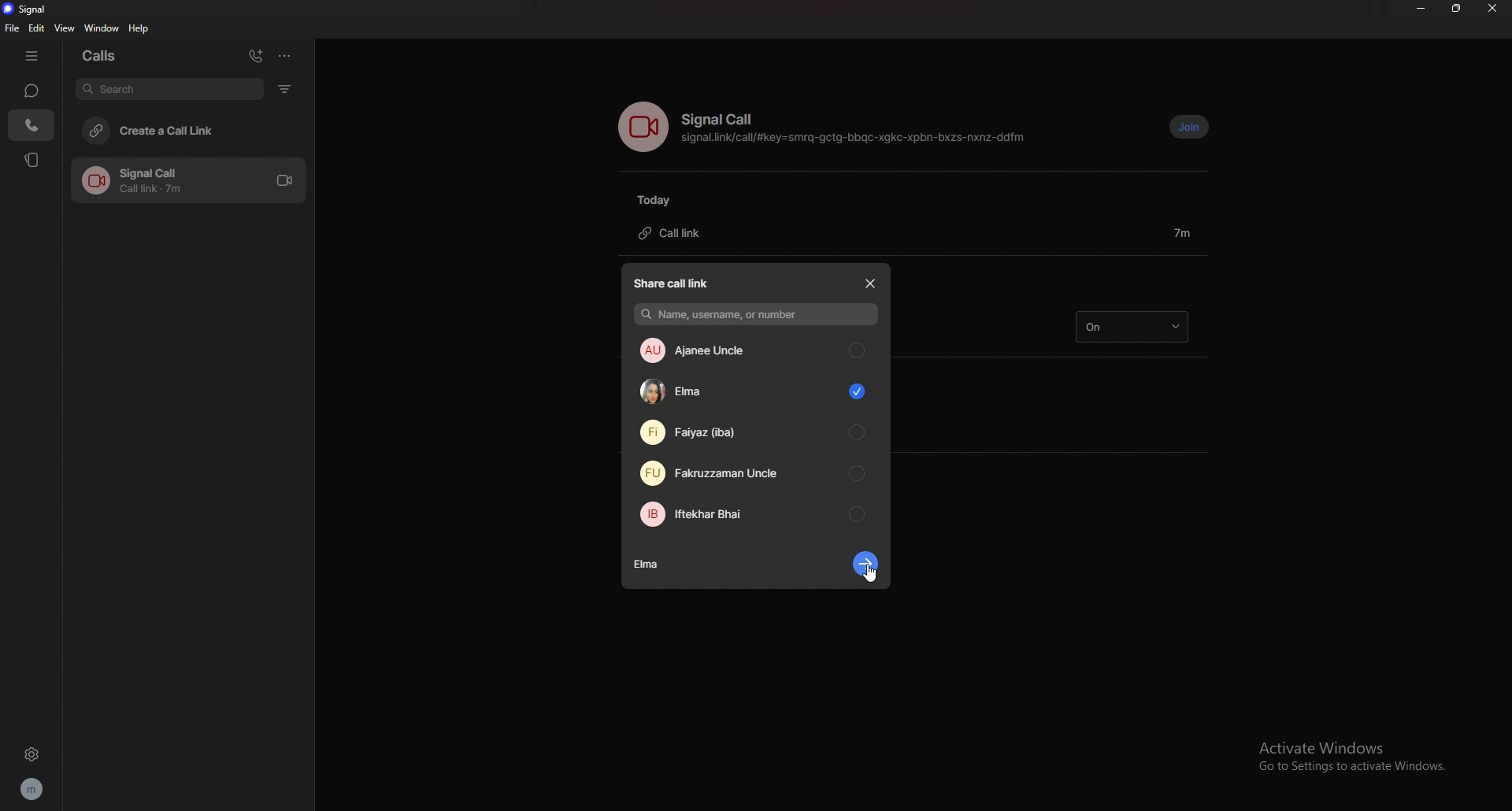  What do you see at coordinates (31, 790) in the screenshot?
I see `profile` at bounding box center [31, 790].